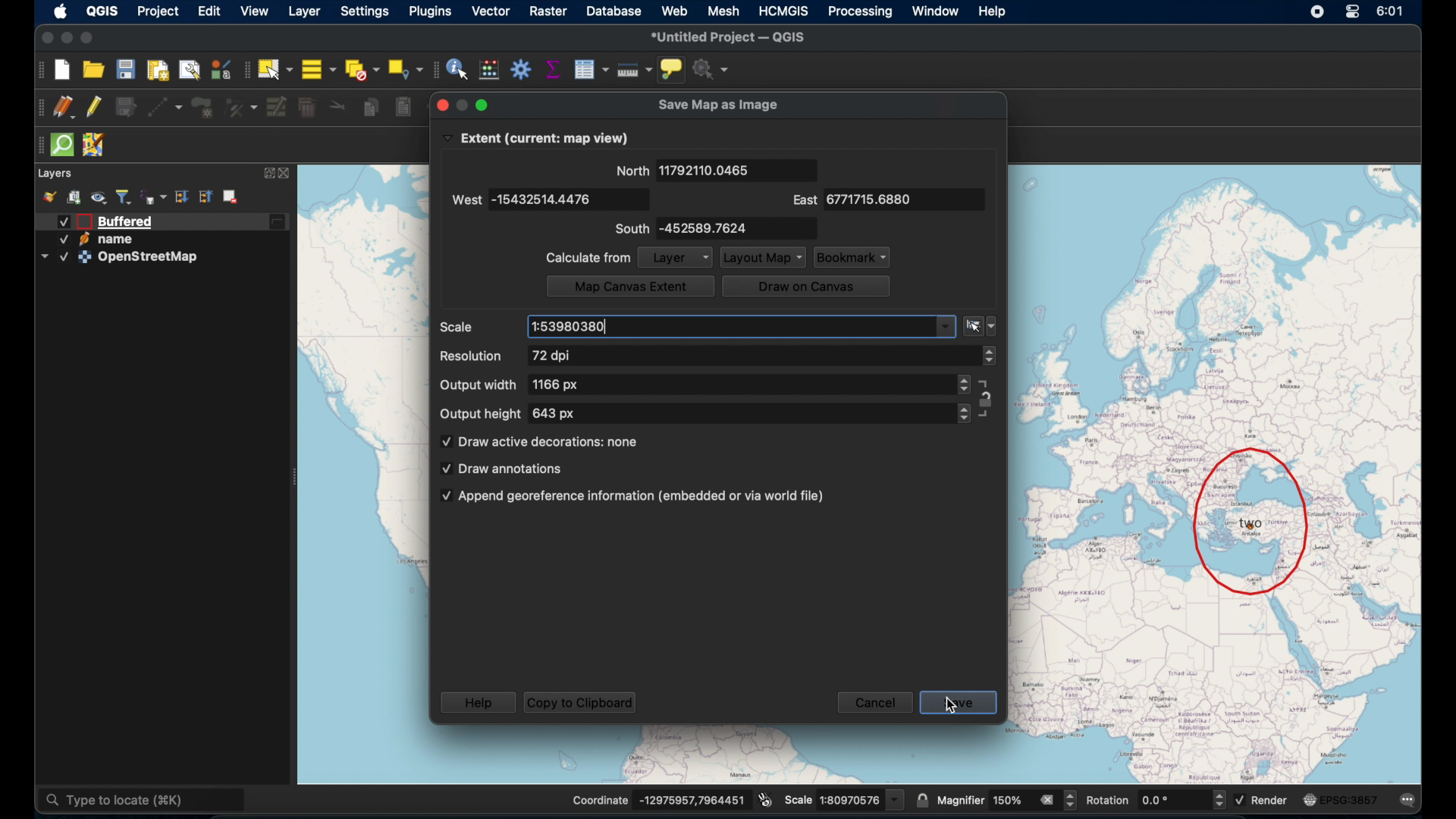  I want to click on icon, so click(85, 257).